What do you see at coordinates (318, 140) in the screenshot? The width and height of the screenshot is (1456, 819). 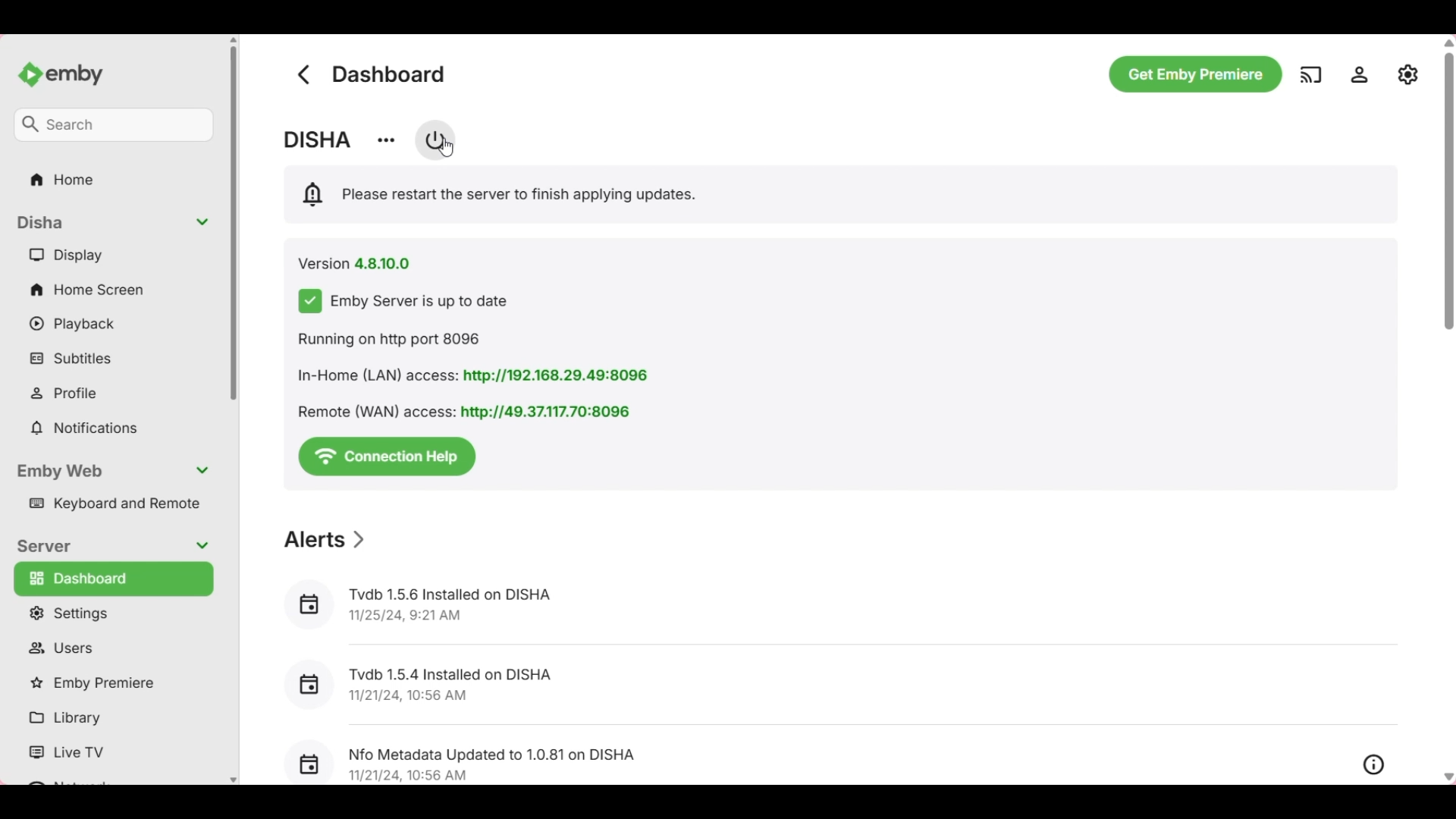 I see `Name of account holder` at bounding box center [318, 140].